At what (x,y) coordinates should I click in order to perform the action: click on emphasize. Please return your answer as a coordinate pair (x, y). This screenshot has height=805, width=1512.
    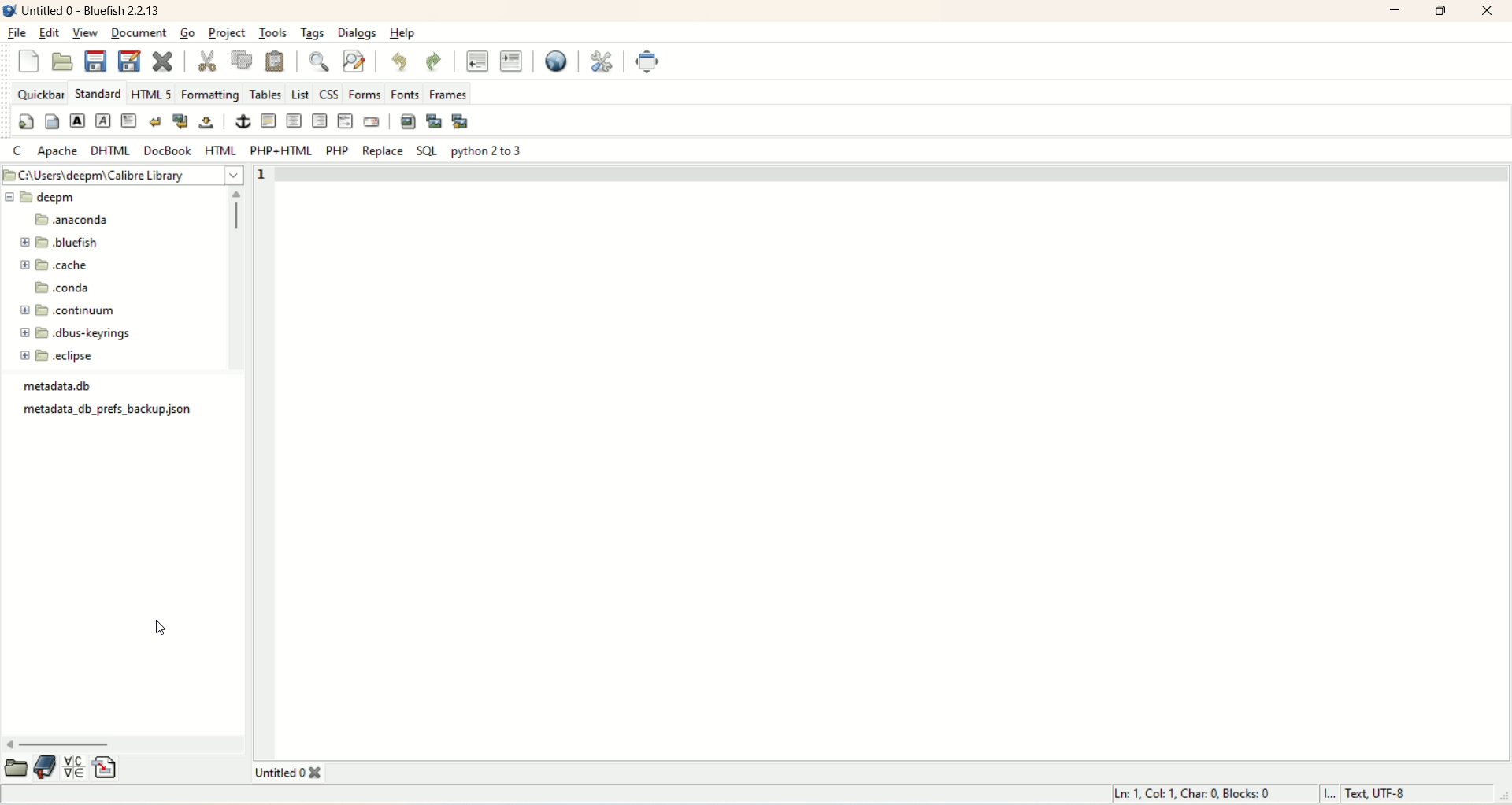
    Looking at the image, I should click on (104, 121).